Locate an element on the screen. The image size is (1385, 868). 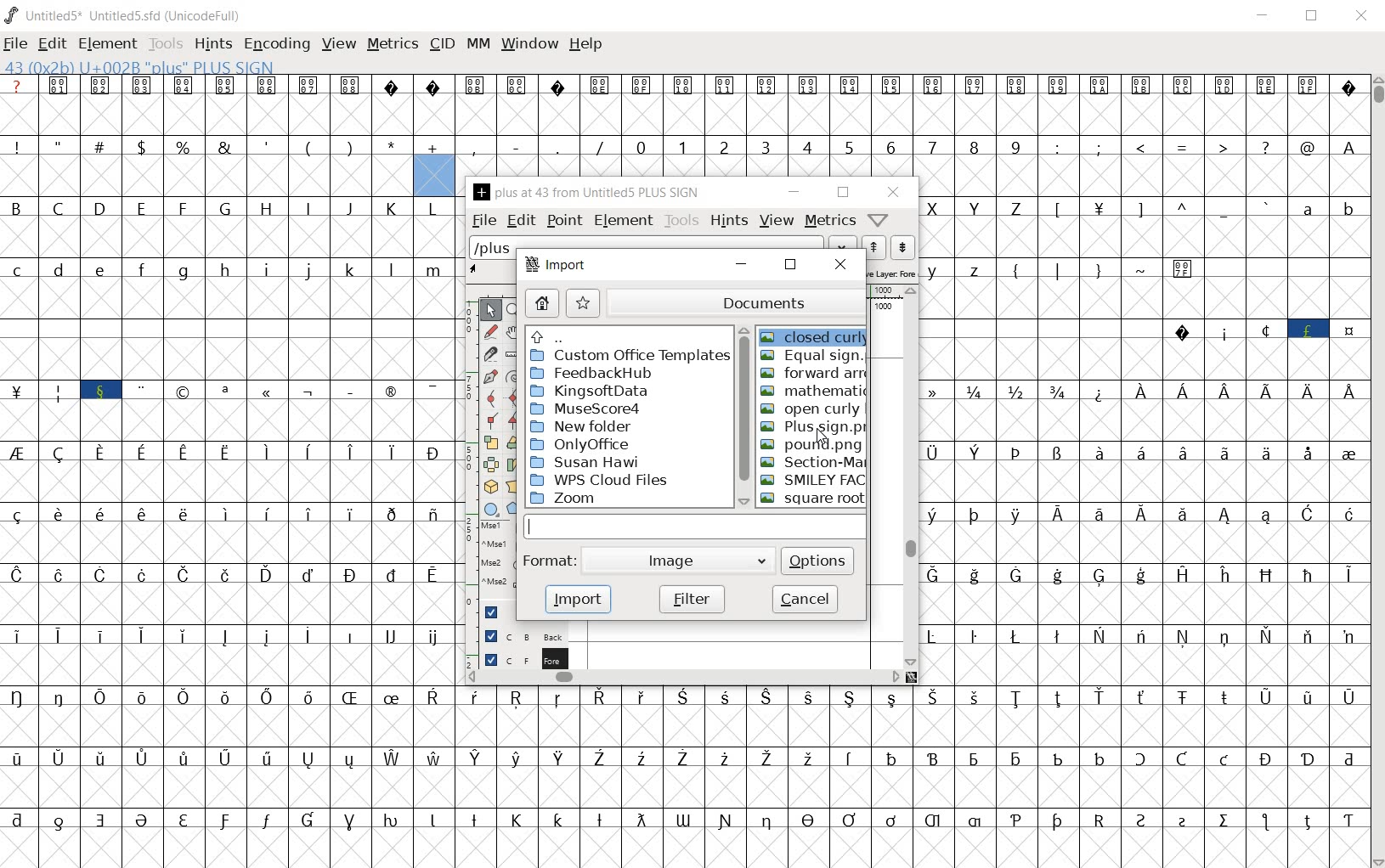
load word list is located at coordinates (663, 246).